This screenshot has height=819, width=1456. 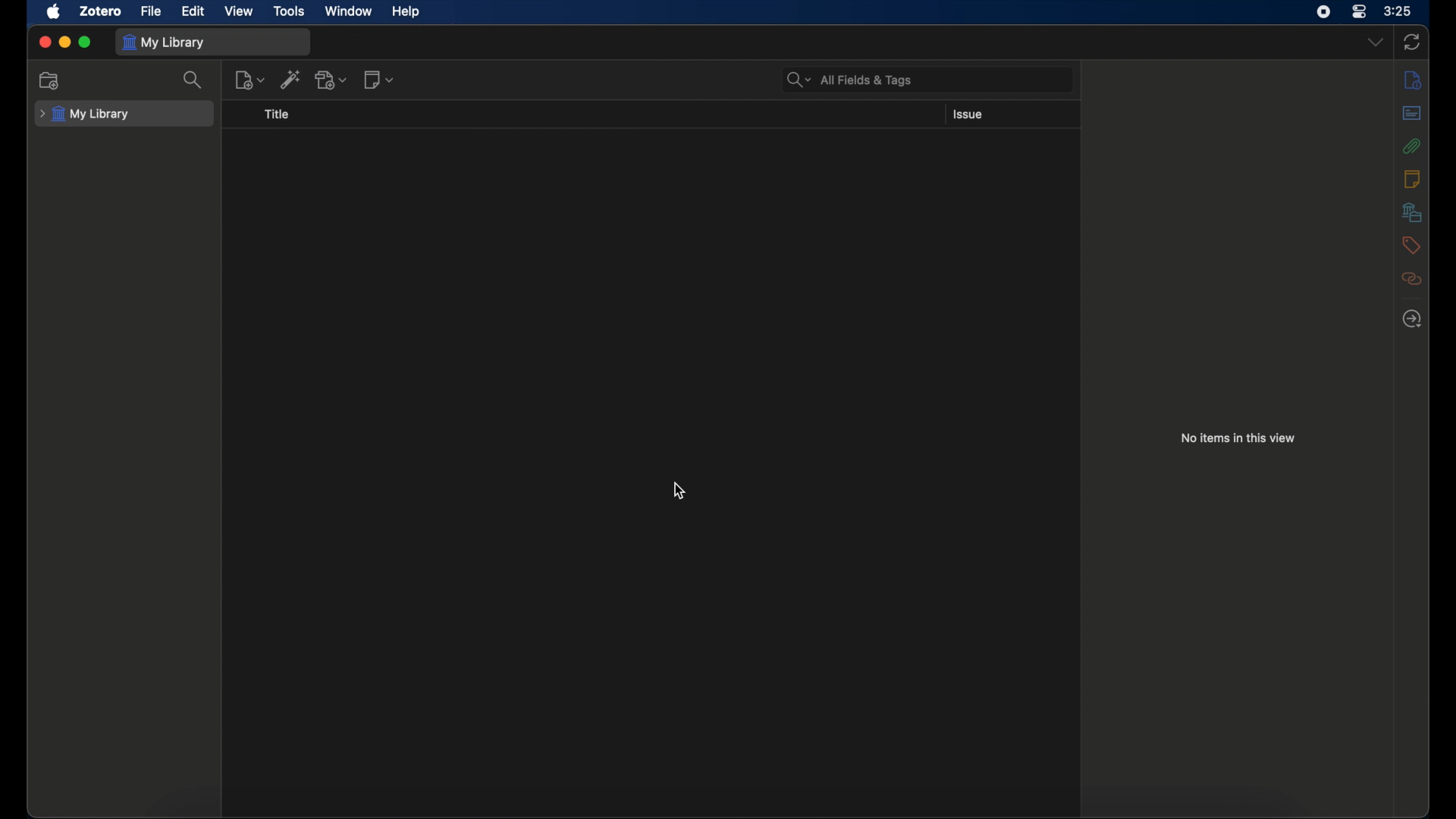 I want to click on add attachments, so click(x=332, y=80).